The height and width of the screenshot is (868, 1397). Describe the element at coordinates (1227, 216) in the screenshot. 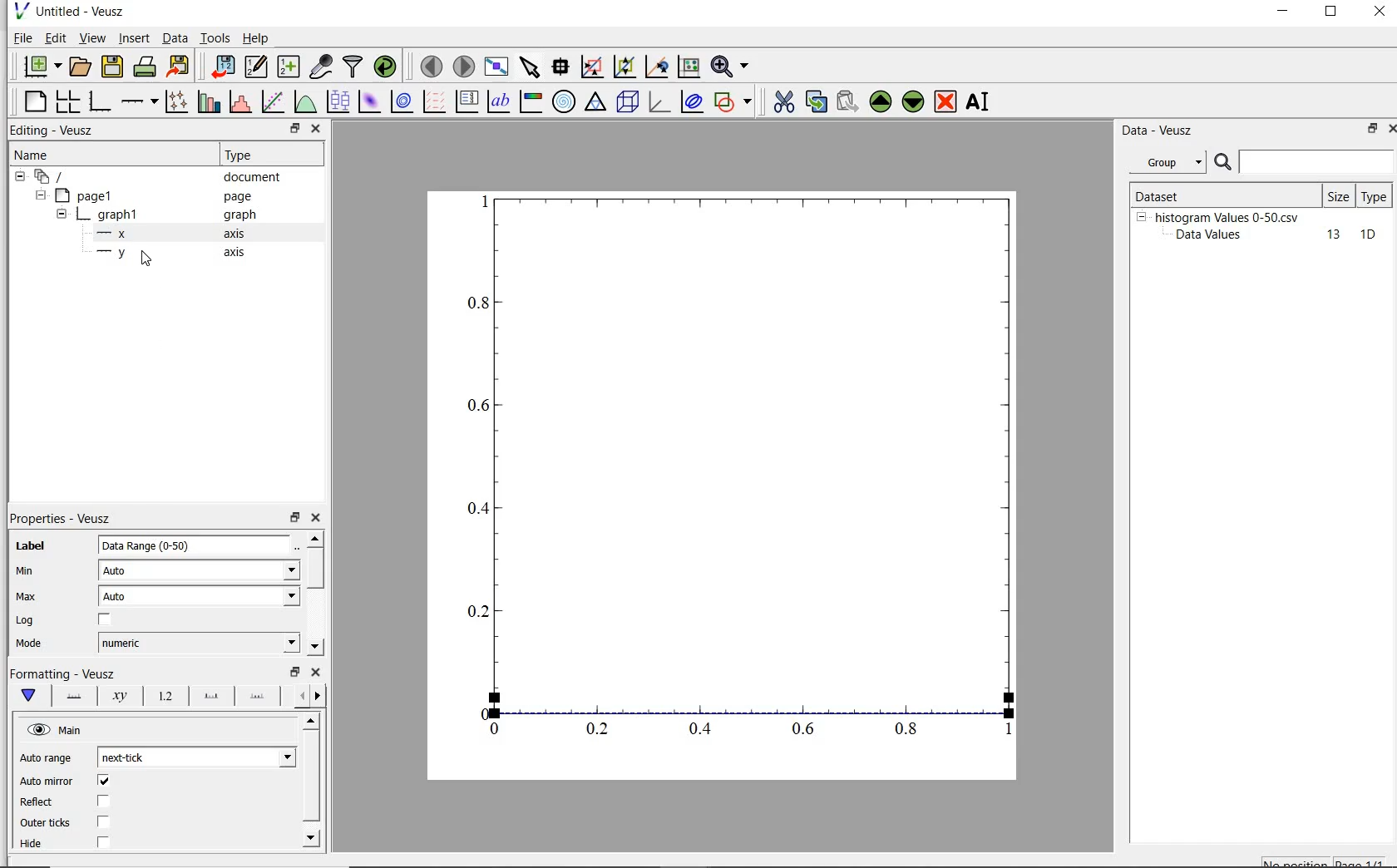

I see `histogram Values 0-50.csv` at that location.